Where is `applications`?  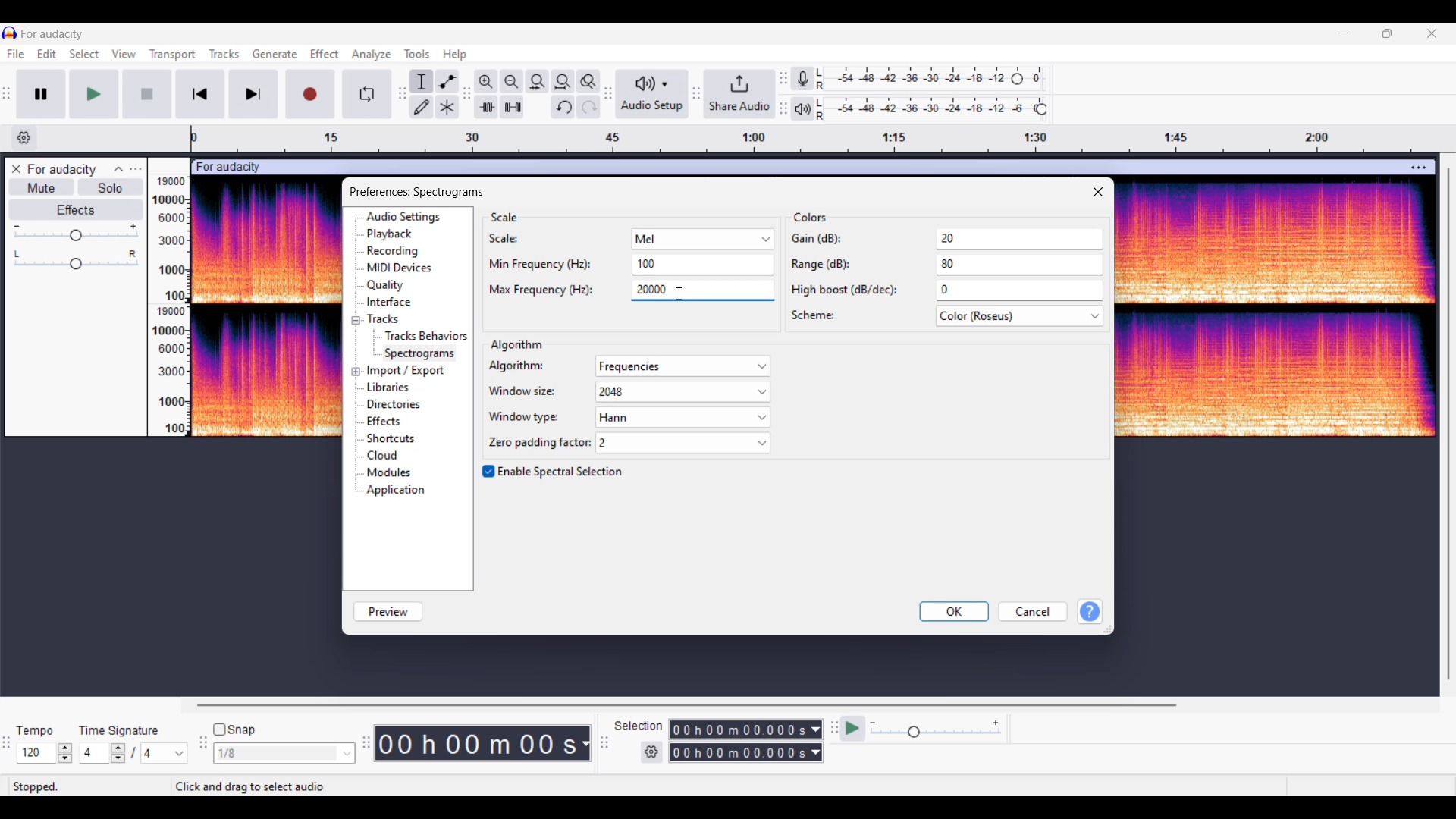
applications is located at coordinates (398, 491).